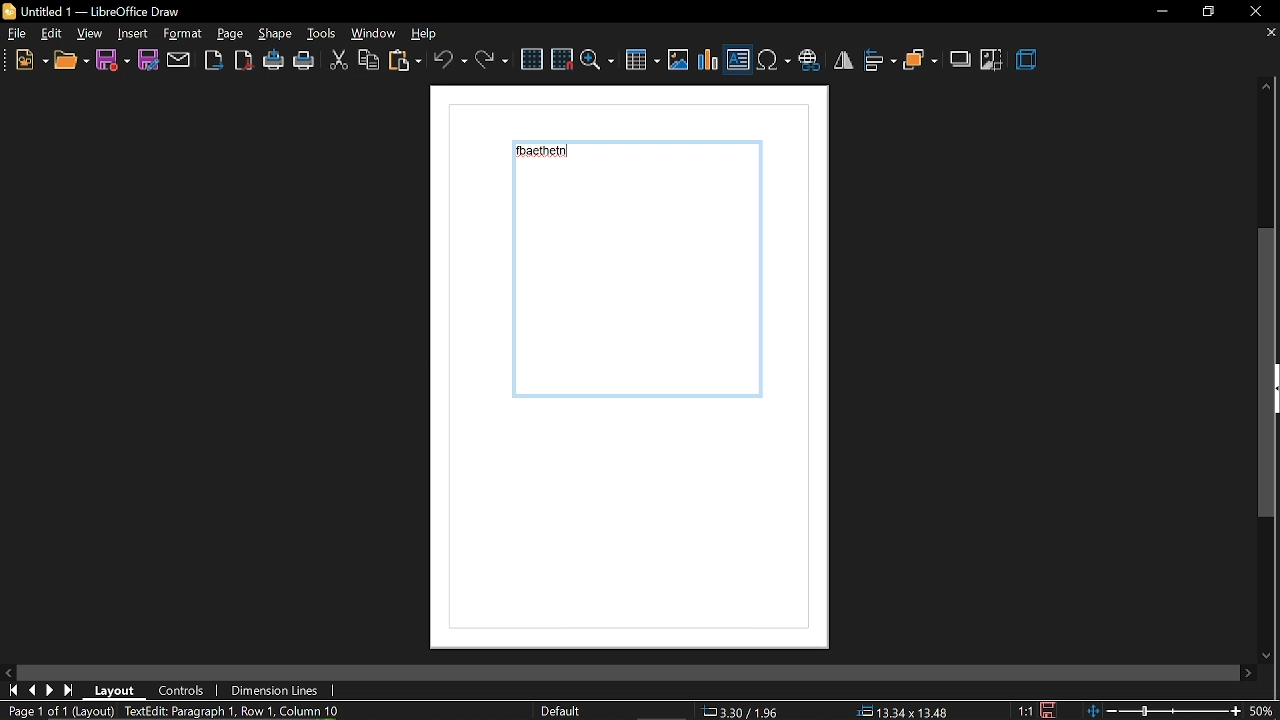 The width and height of the screenshot is (1280, 720). What do you see at coordinates (273, 692) in the screenshot?
I see `dimension lines` at bounding box center [273, 692].